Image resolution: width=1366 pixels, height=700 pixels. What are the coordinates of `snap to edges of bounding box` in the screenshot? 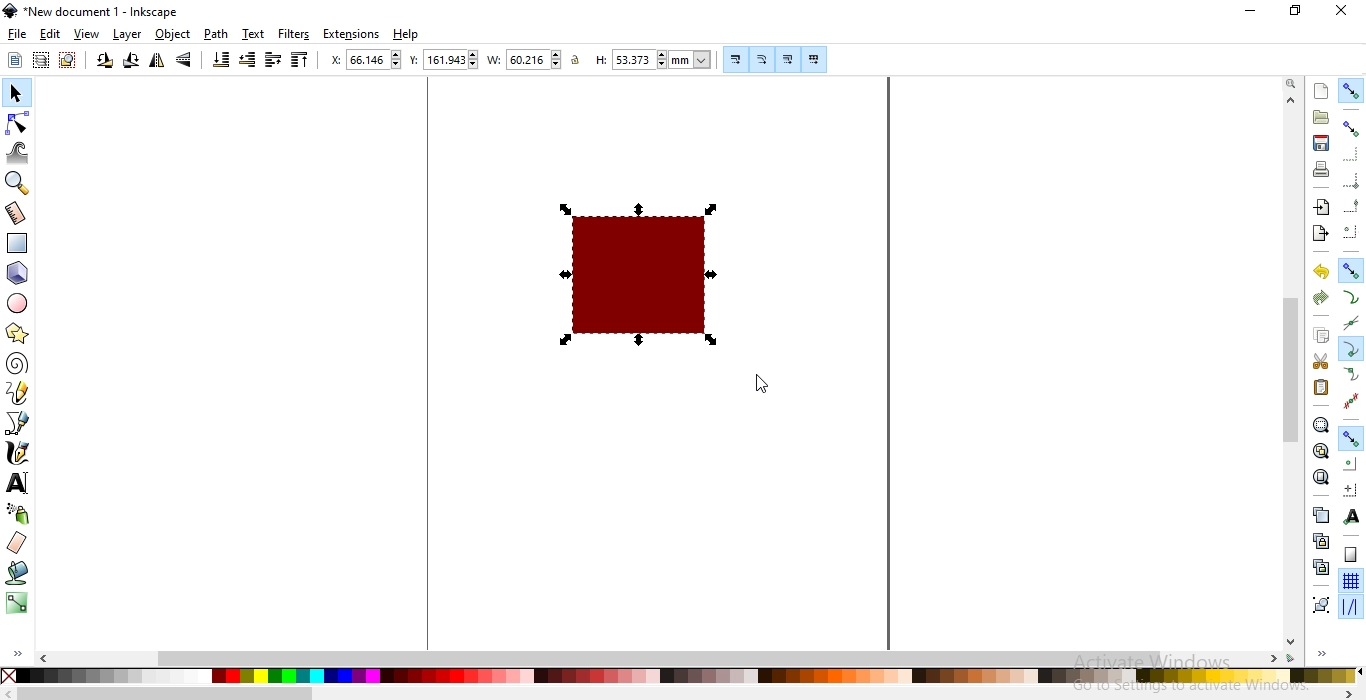 It's located at (1349, 153).